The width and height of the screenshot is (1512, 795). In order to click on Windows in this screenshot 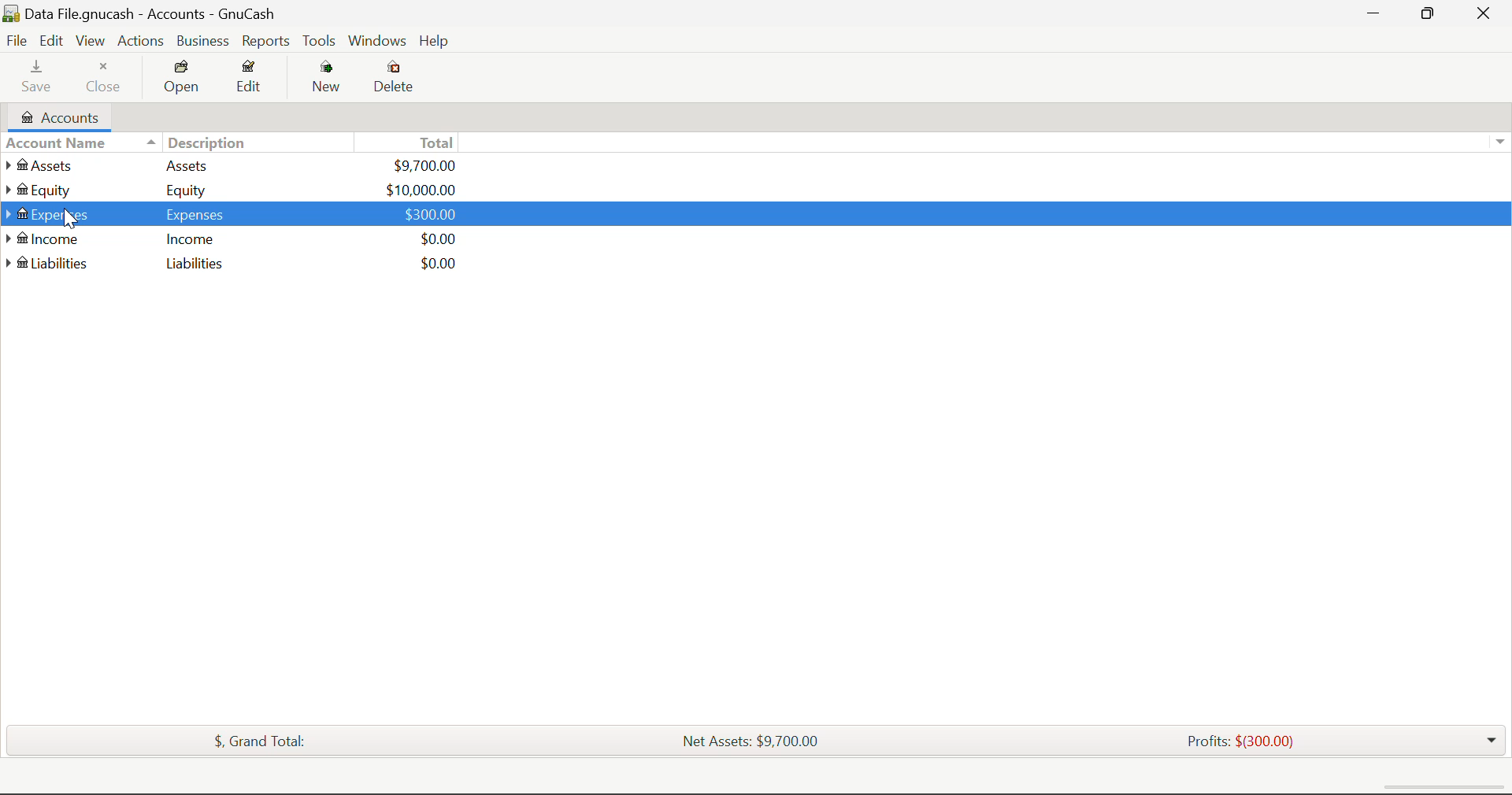, I will do `click(378, 42)`.